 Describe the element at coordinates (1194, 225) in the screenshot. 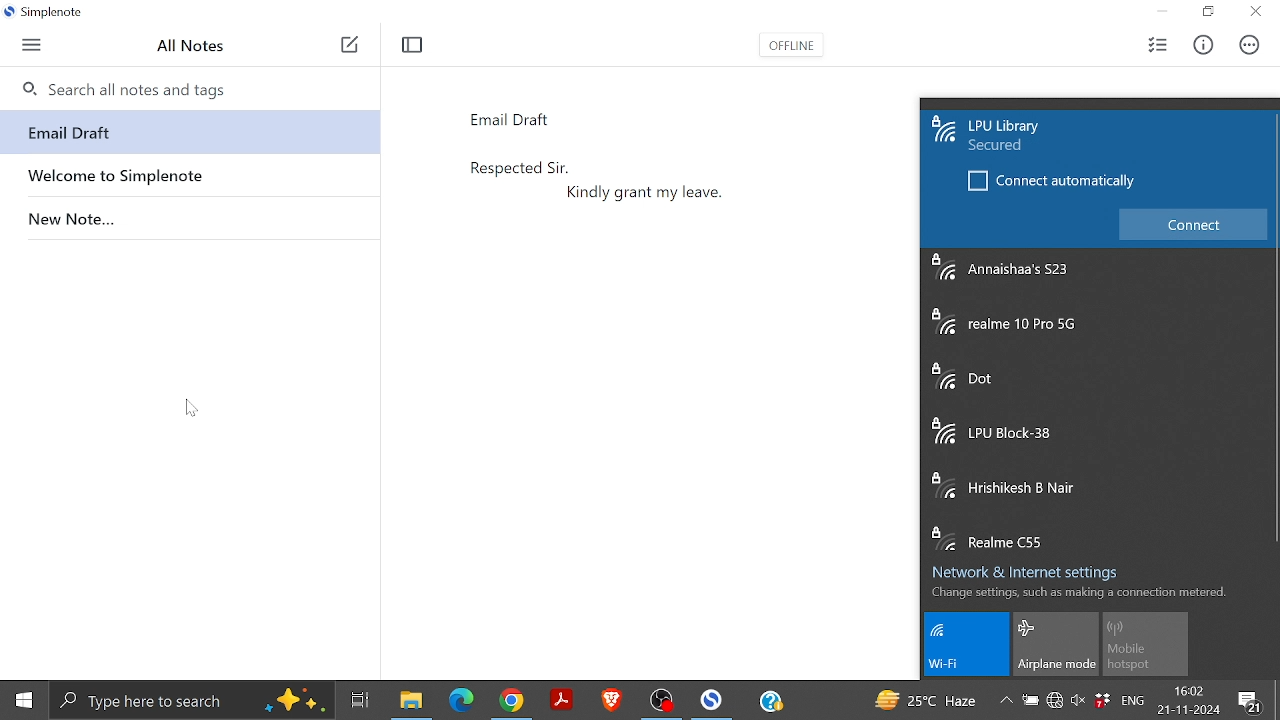

I see `connect with the WIFI connection "LPU Library"` at that location.